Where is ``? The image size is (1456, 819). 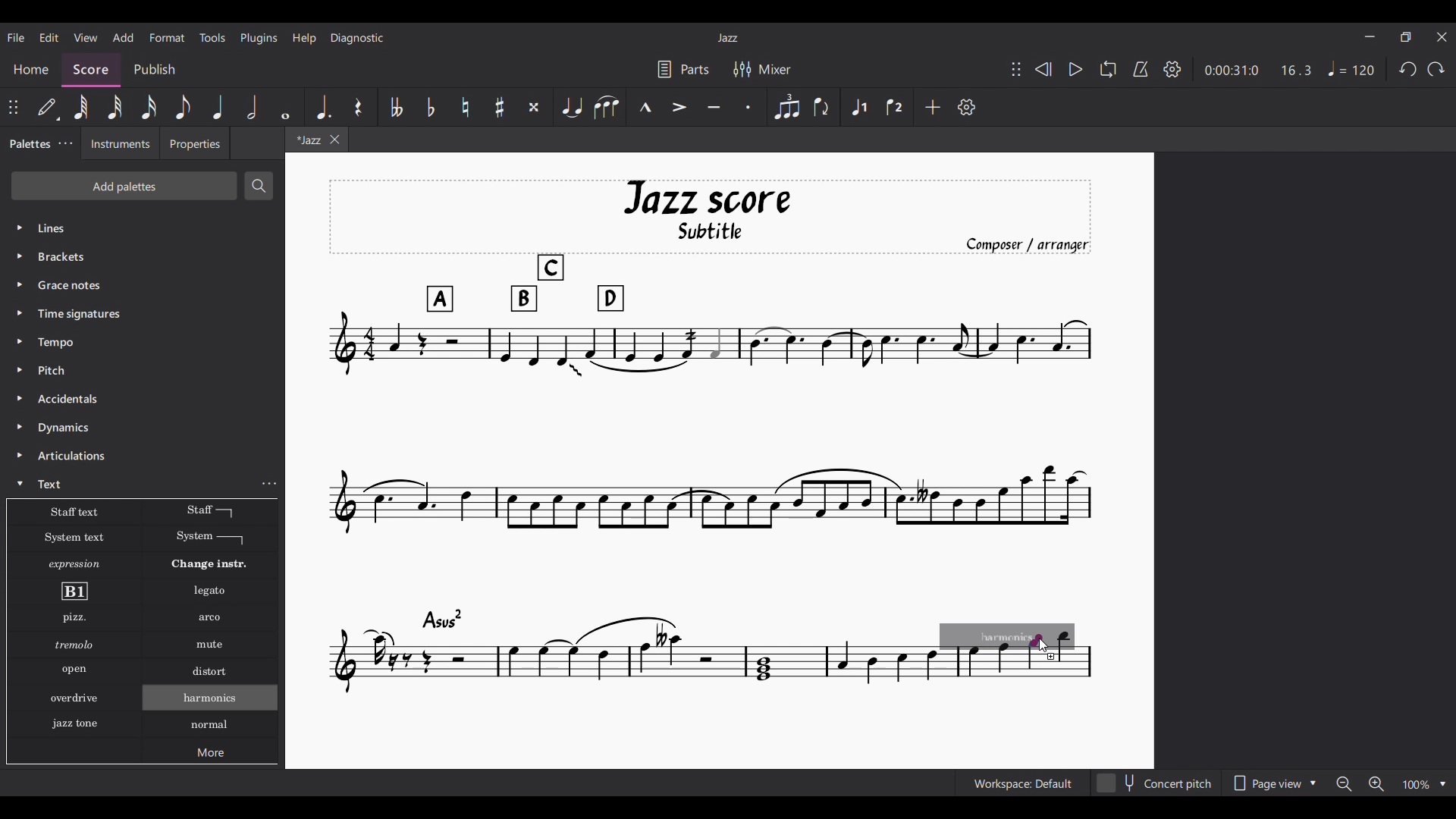
 is located at coordinates (68, 284).